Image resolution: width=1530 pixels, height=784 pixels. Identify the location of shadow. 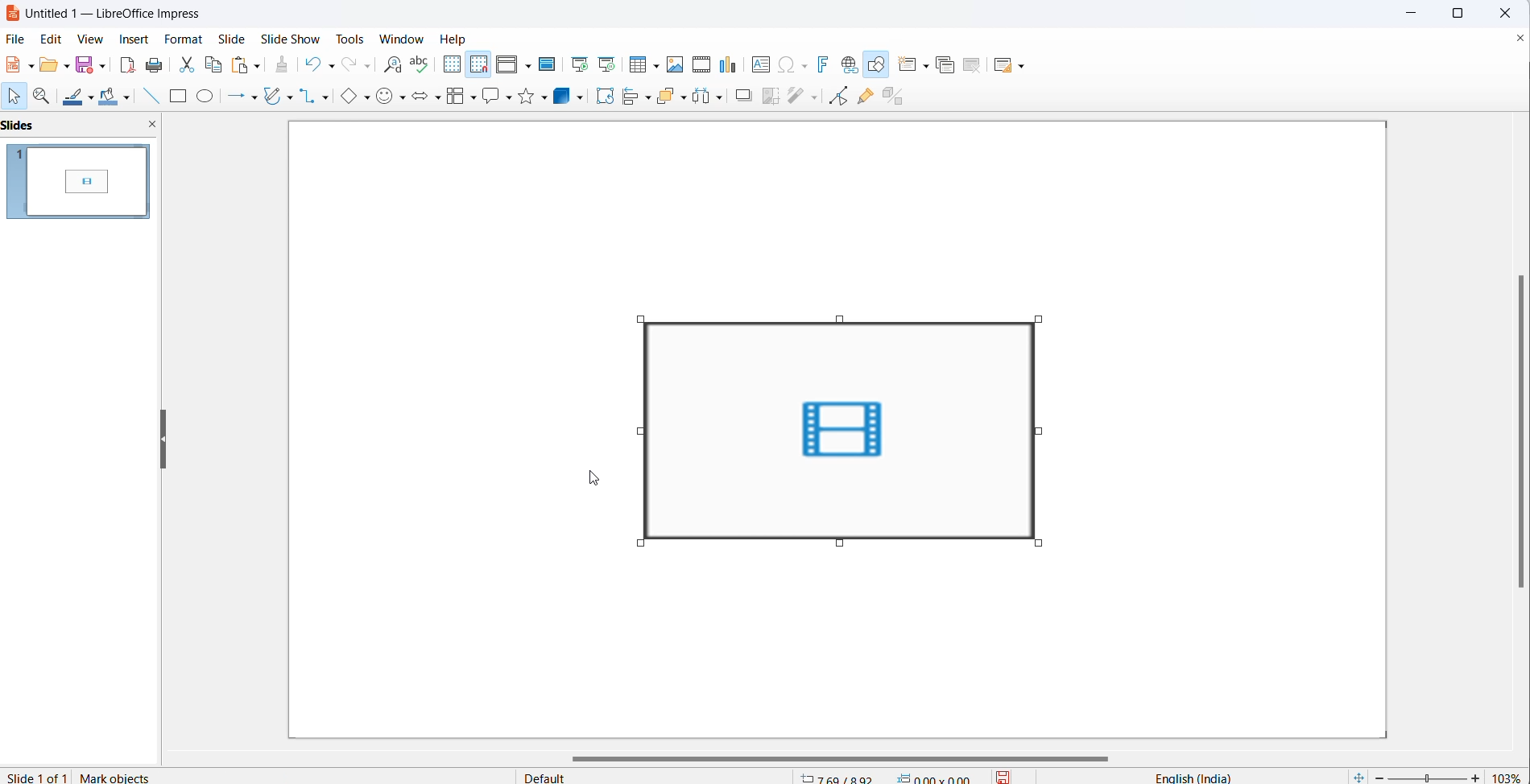
(738, 95).